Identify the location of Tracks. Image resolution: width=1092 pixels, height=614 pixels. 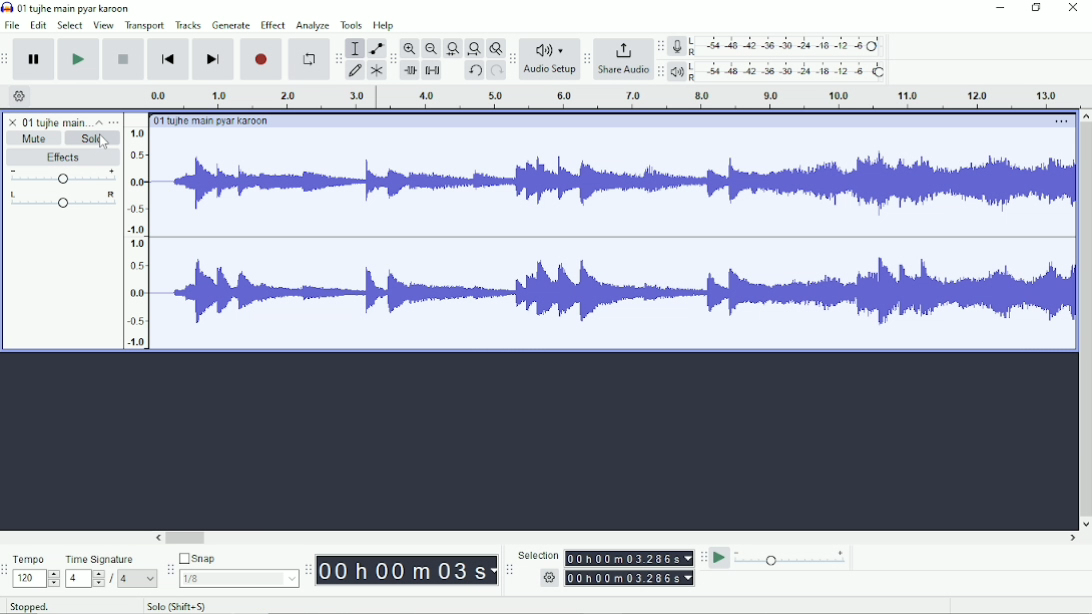
(188, 24).